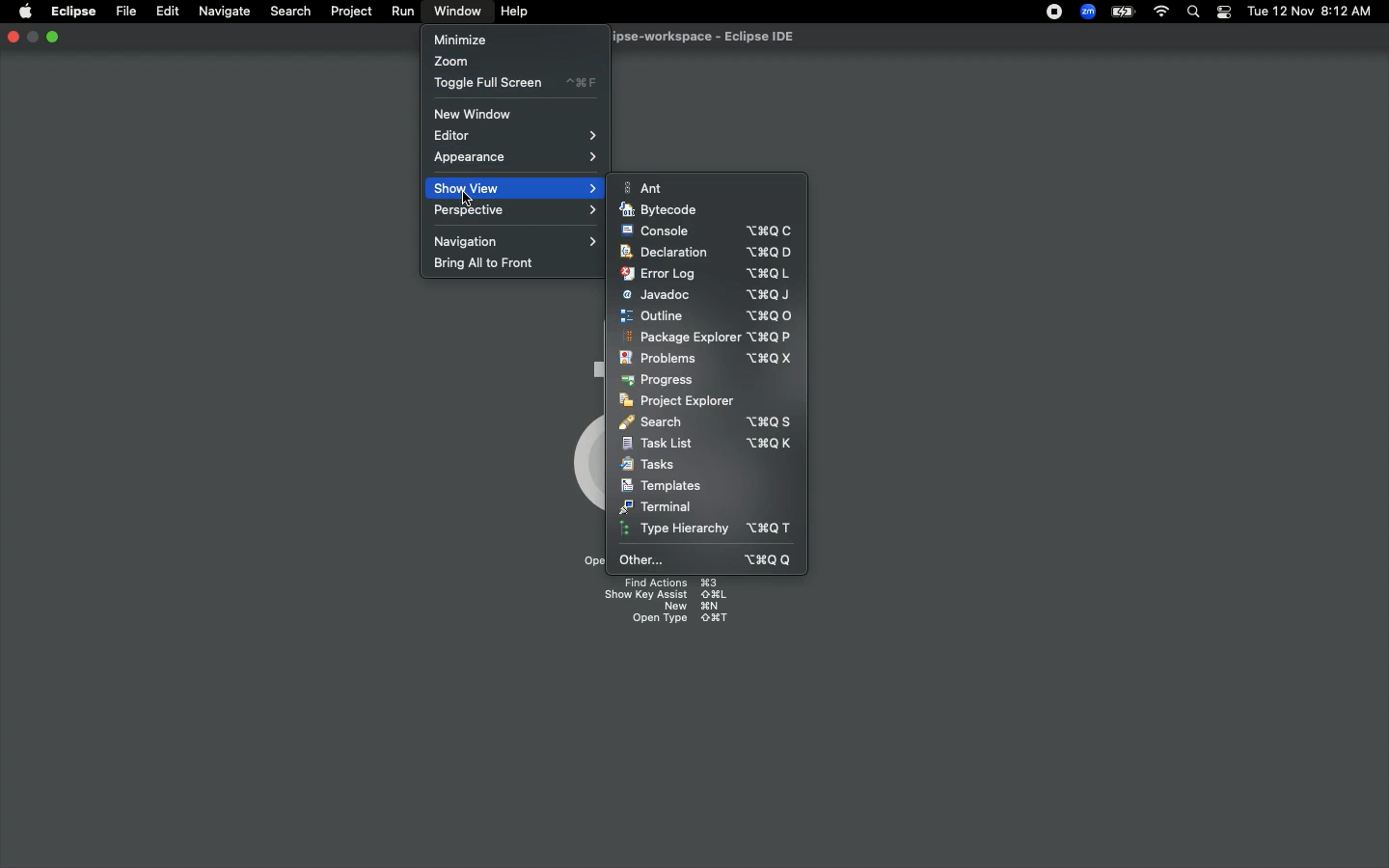  Describe the element at coordinates (512, 214) in the screenshot. I see `Perspective` at that location.